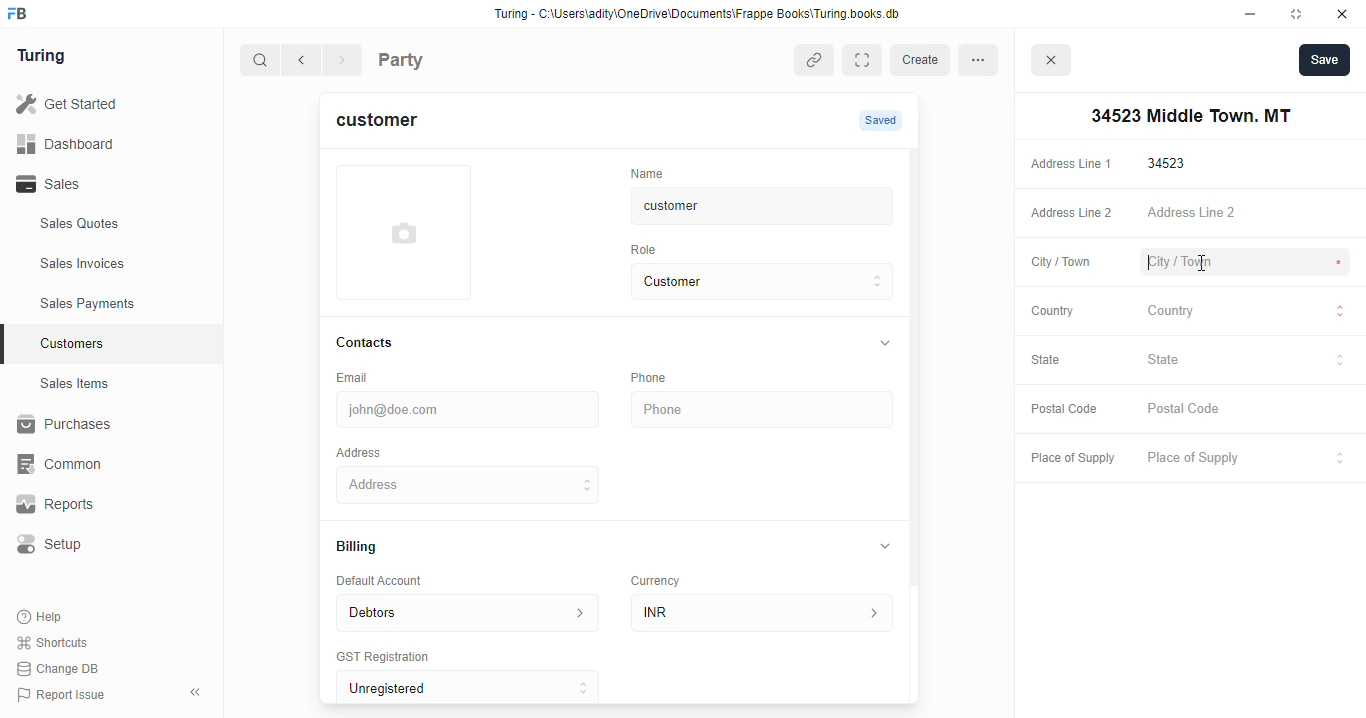 Image resolution: width=1366 pixels, height=718 pixels. I want to click on collapse, so click(886, 545).